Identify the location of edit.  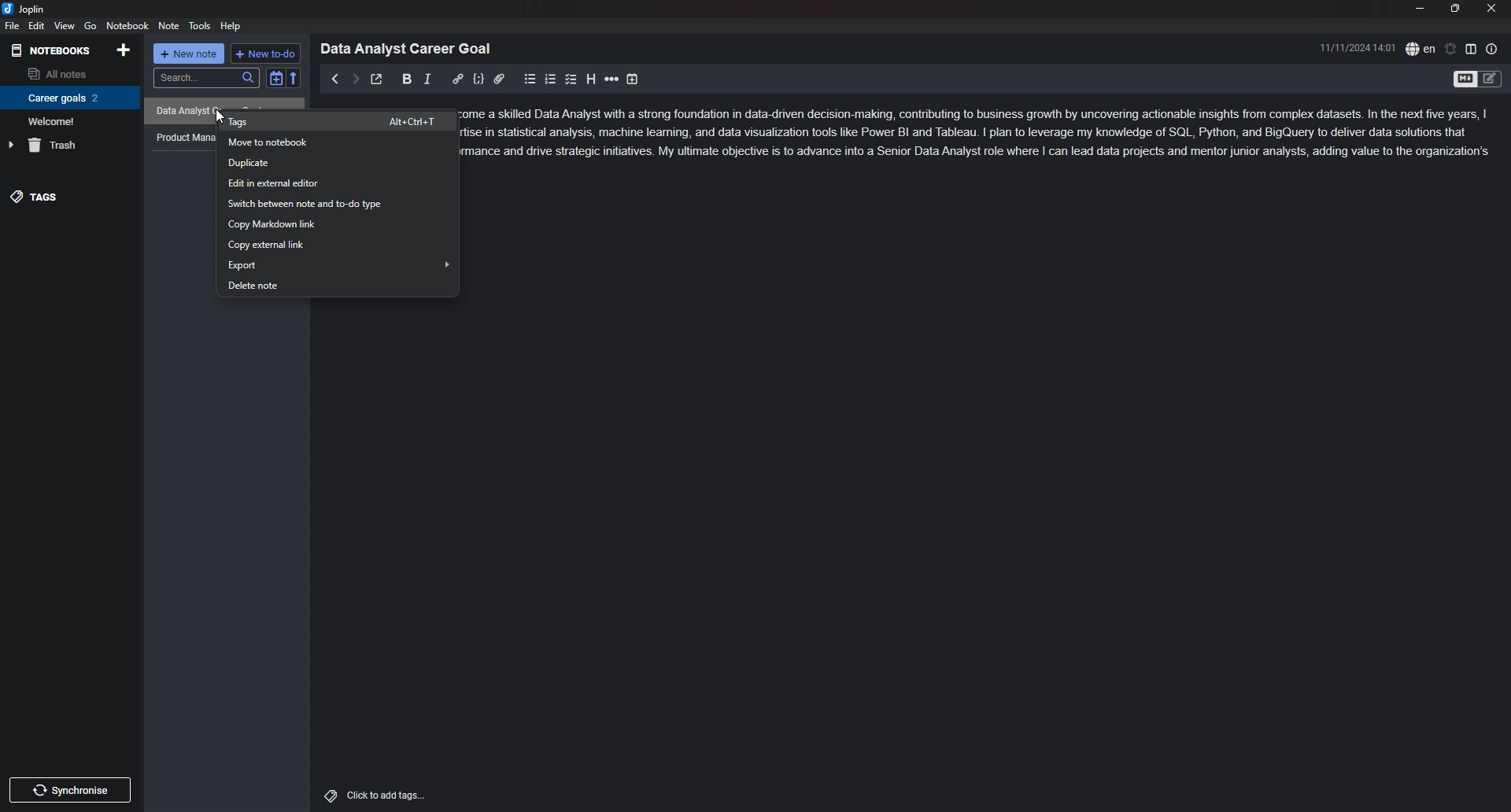
(38, 25).